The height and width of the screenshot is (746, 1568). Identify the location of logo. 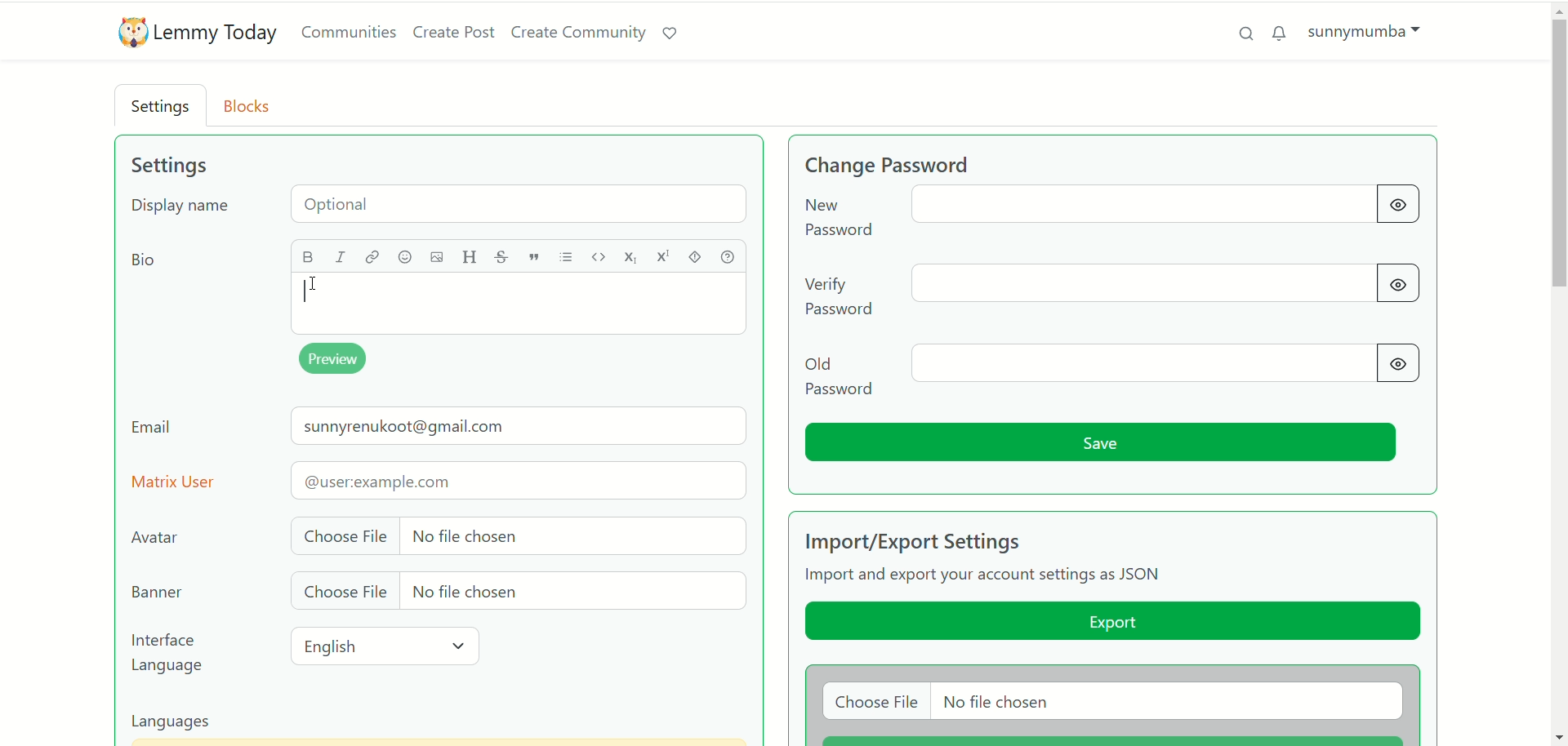
(128, 33).